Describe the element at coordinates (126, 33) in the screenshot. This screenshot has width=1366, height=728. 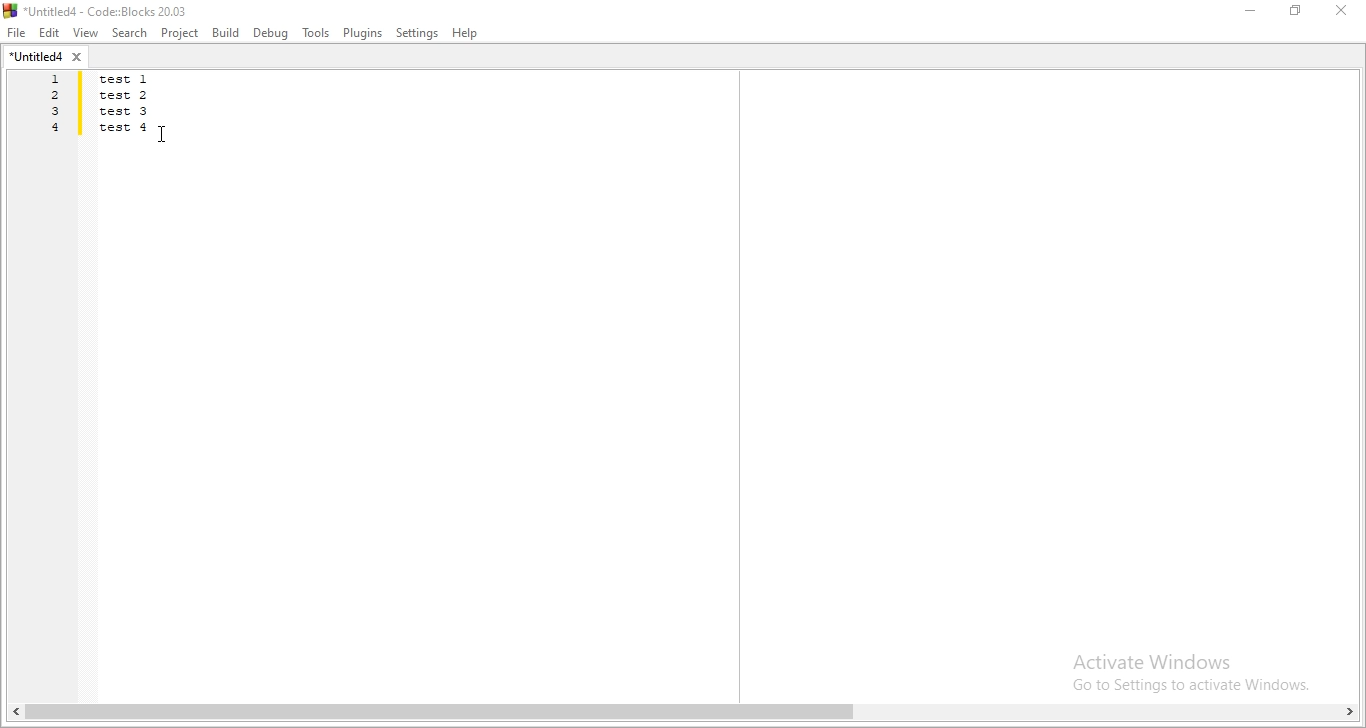
I see `Search ` at that location.